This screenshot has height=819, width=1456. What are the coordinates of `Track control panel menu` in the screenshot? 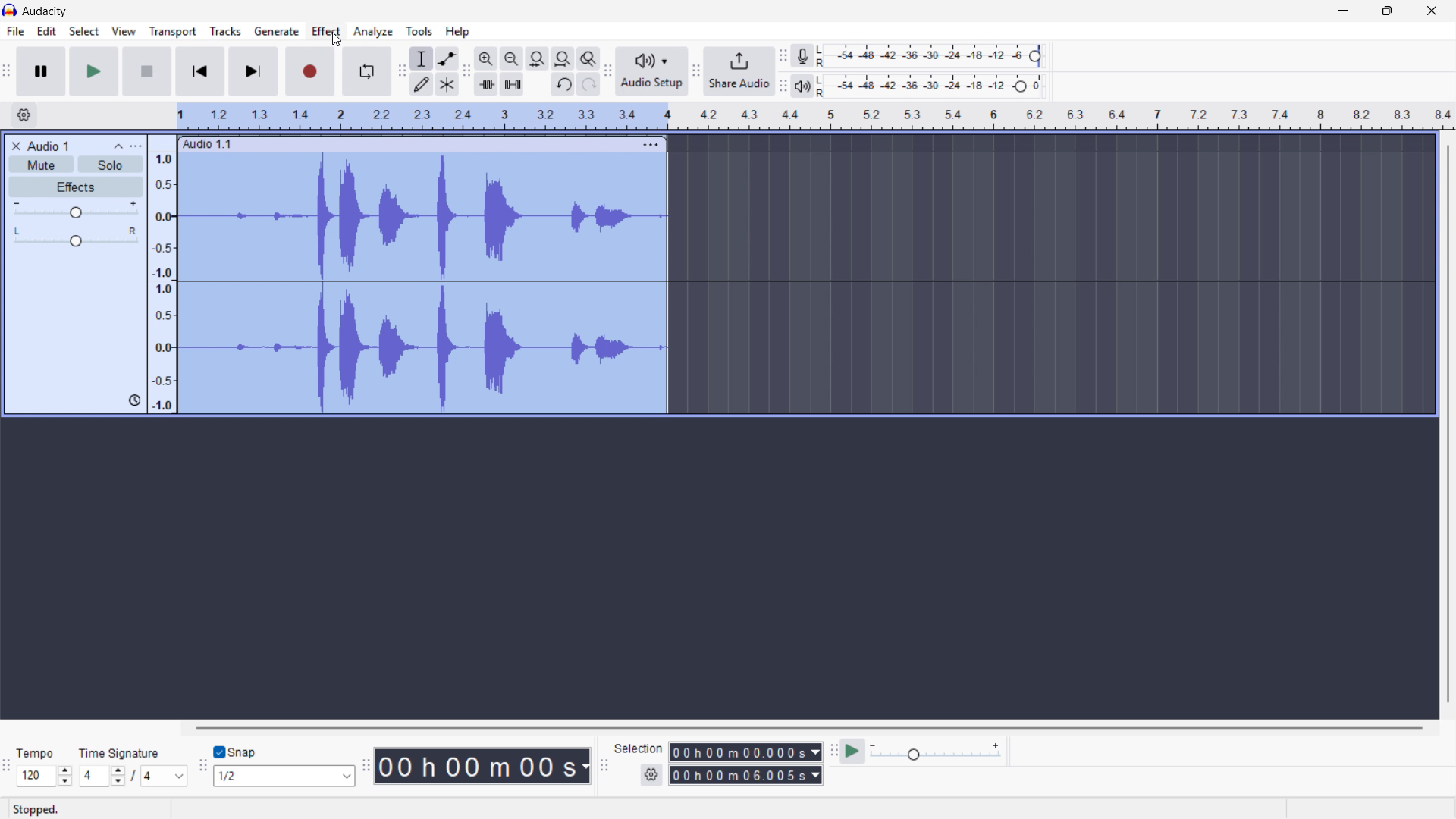 It's located at (136, 146).